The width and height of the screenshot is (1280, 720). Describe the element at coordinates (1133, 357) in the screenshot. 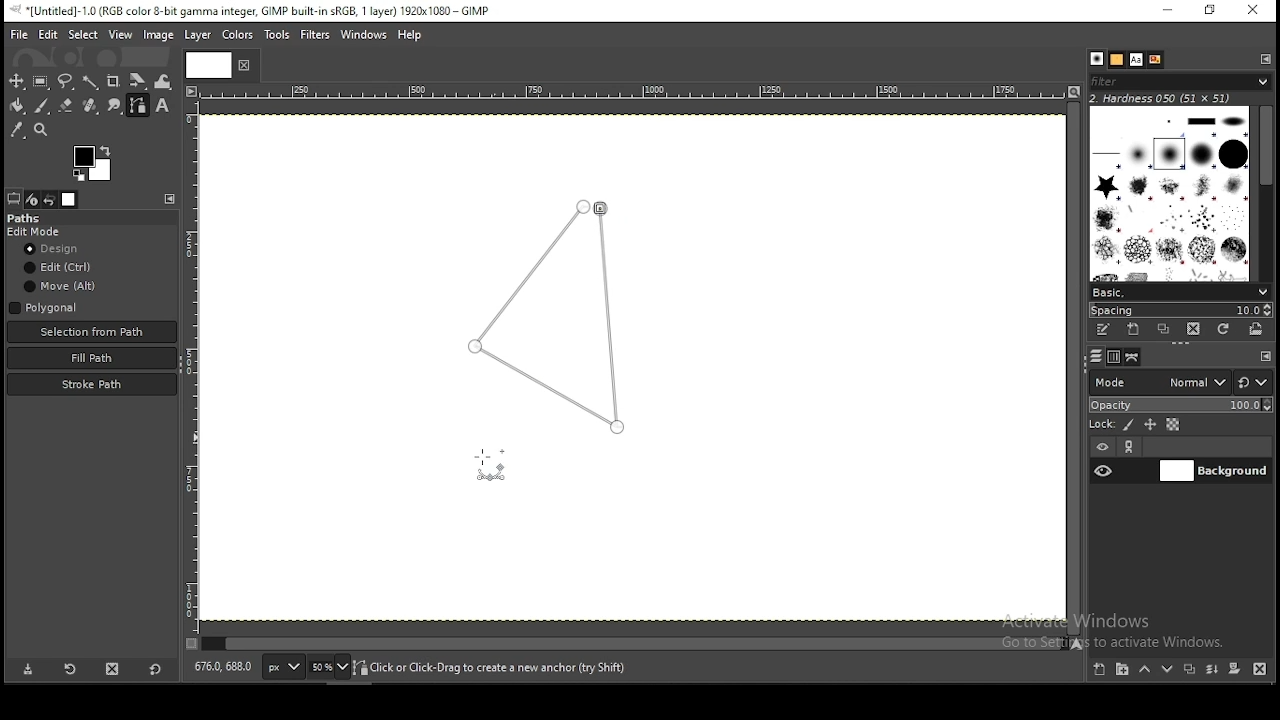

I see `paths` at that location.